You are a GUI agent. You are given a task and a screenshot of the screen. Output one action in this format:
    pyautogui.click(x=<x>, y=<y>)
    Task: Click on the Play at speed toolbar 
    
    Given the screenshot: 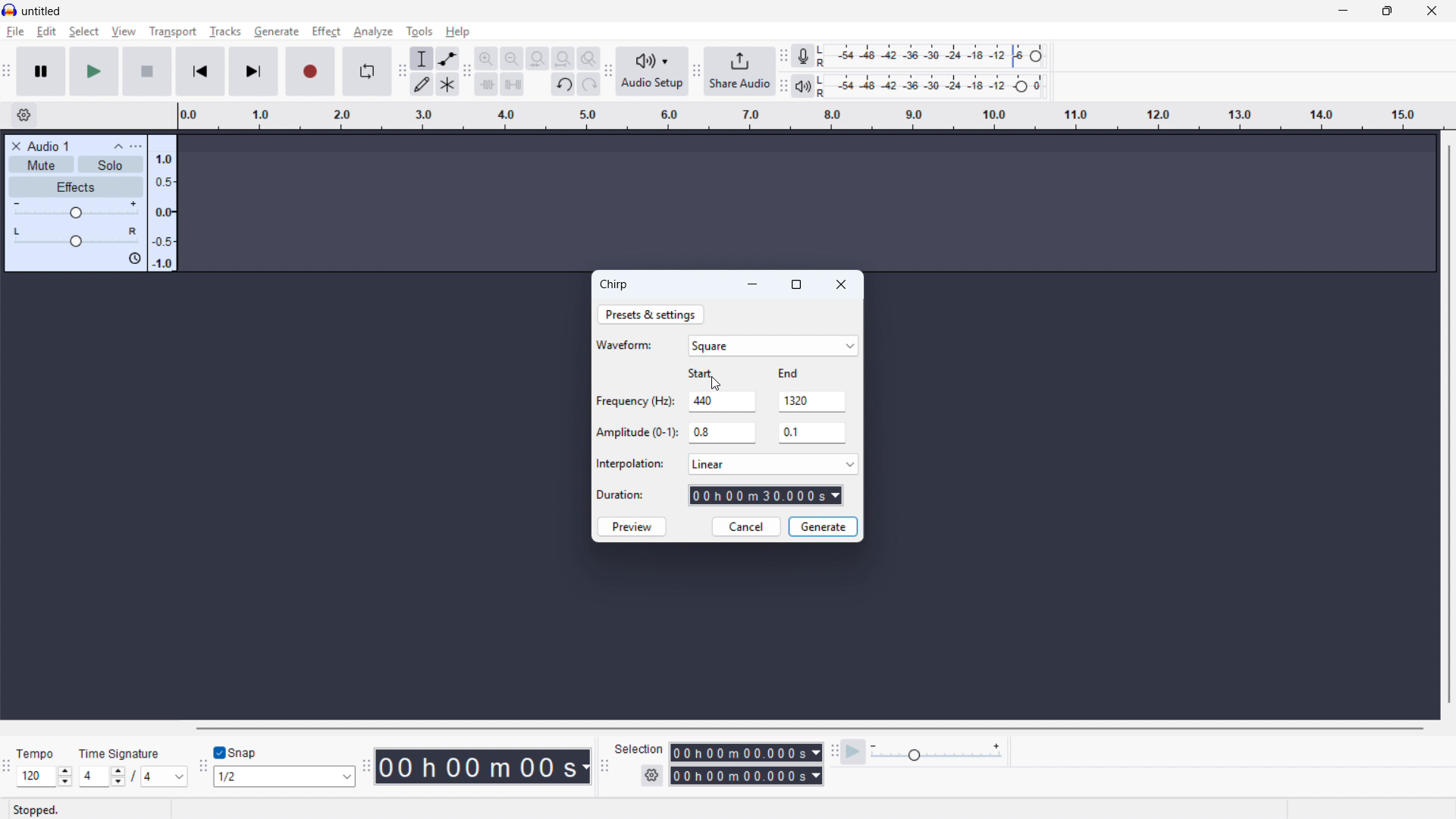 What is the action you would take?
    pyautogui.click(x=835, y=750)
    